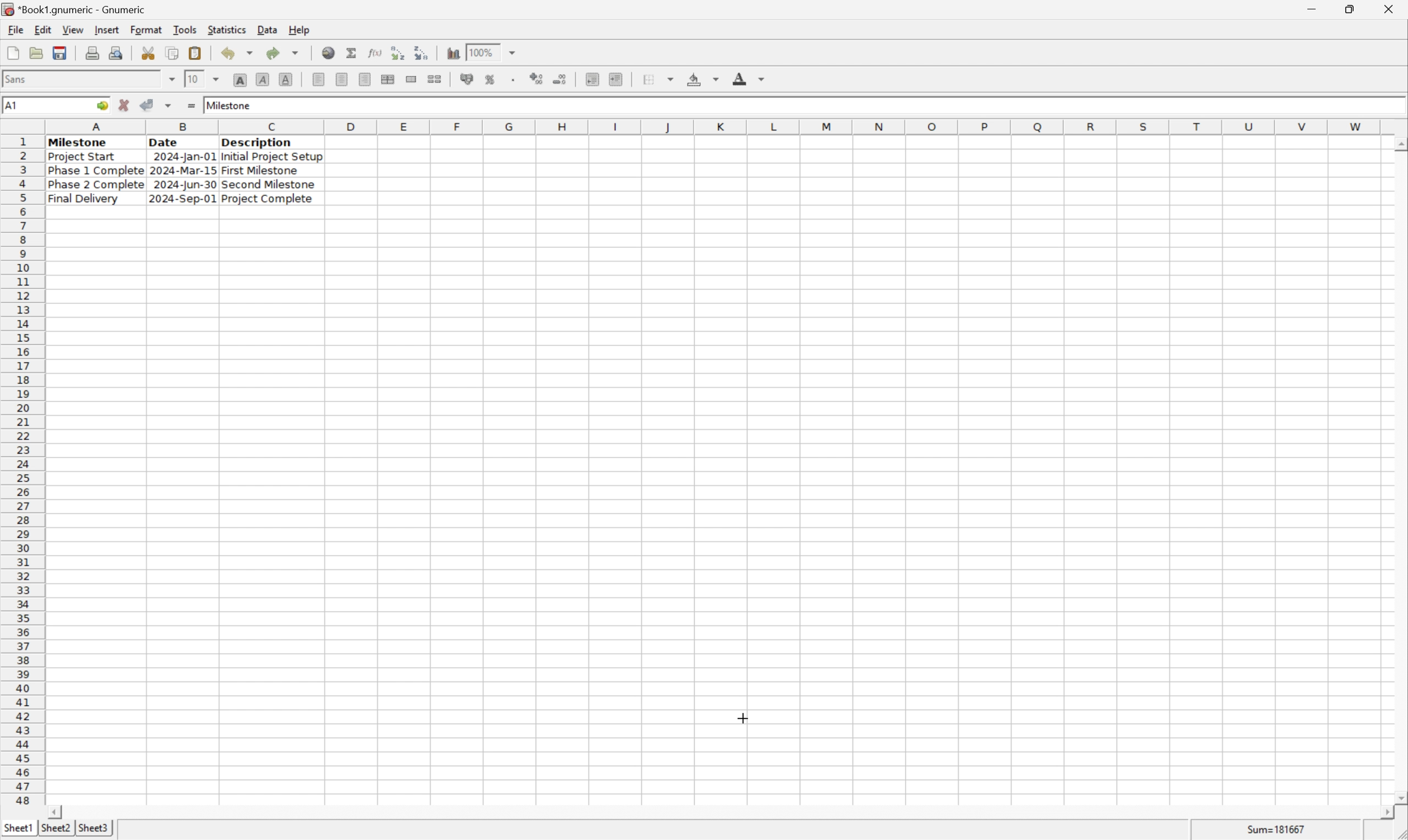 The width and height of the screenshot is (1408, 840). Describe the element at coordinates (239, 80) in the screenshot. I see `bold` at that location.